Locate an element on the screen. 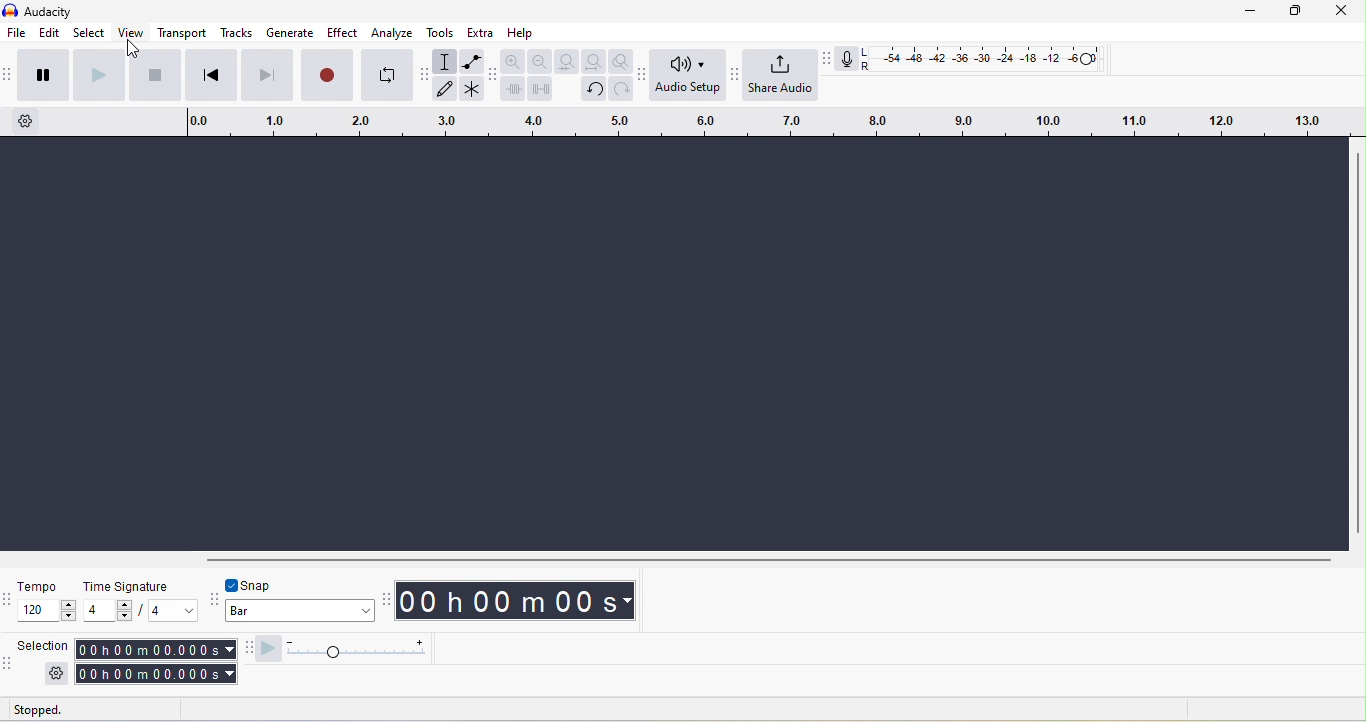 The image size is (1366, 722). selection end time is located at coordinates (157, 674).